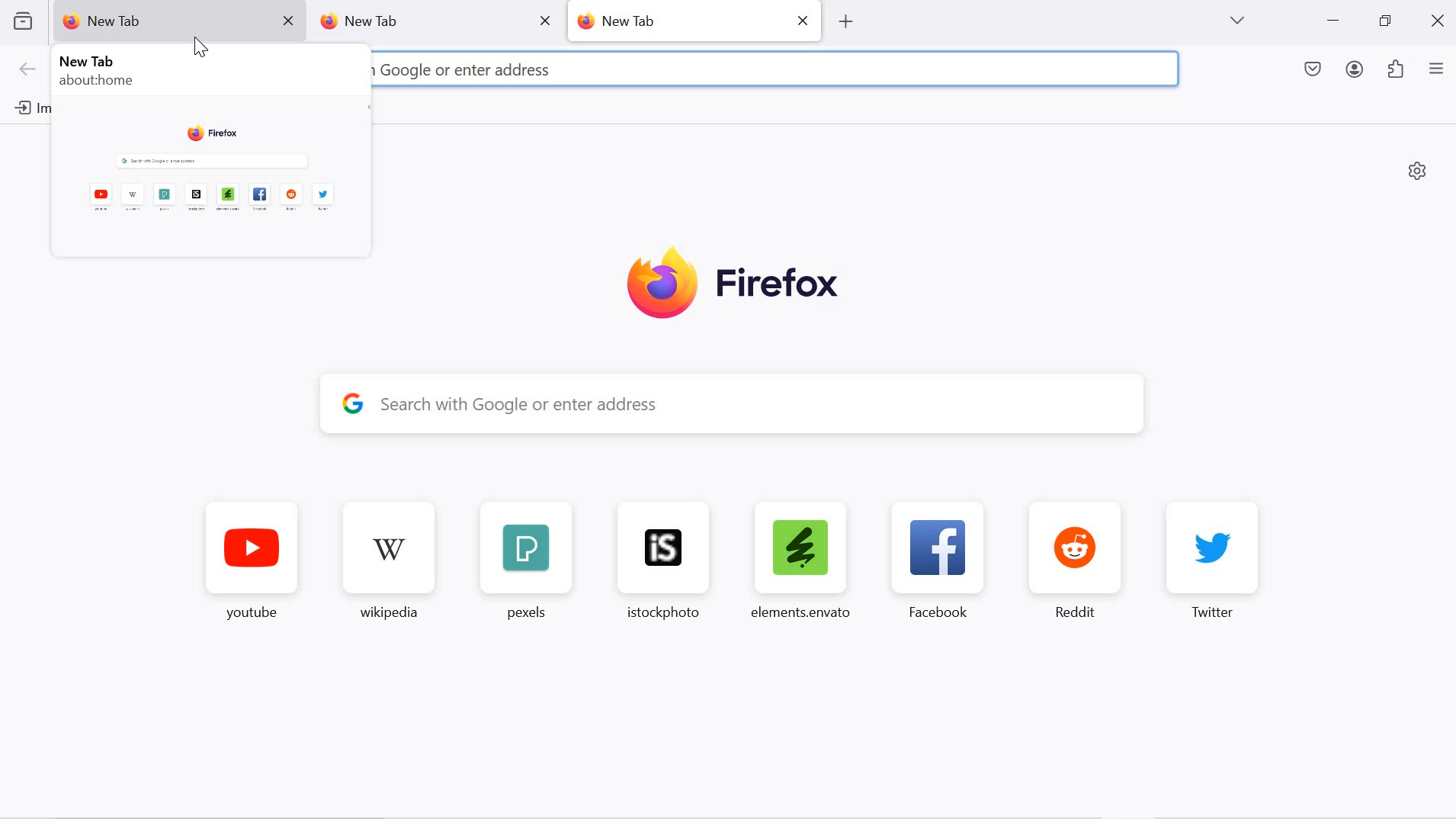 The width and height of the screenshot is (1456, 819). What do you see at coordinates (1436, 70) in the screenshot?
I see `application menu` at bounding box center [1436, 70].